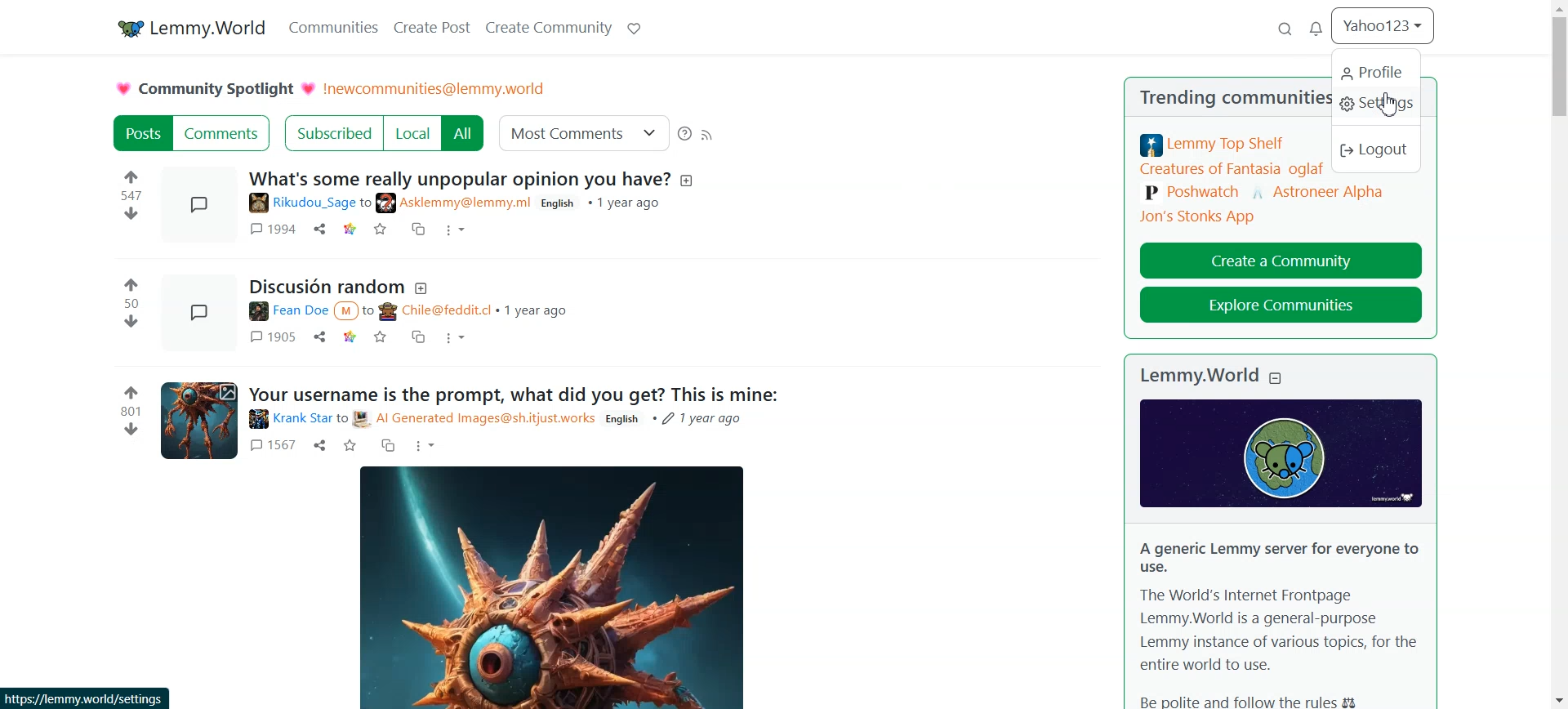  I want to click on icon, so click(1281, 453).